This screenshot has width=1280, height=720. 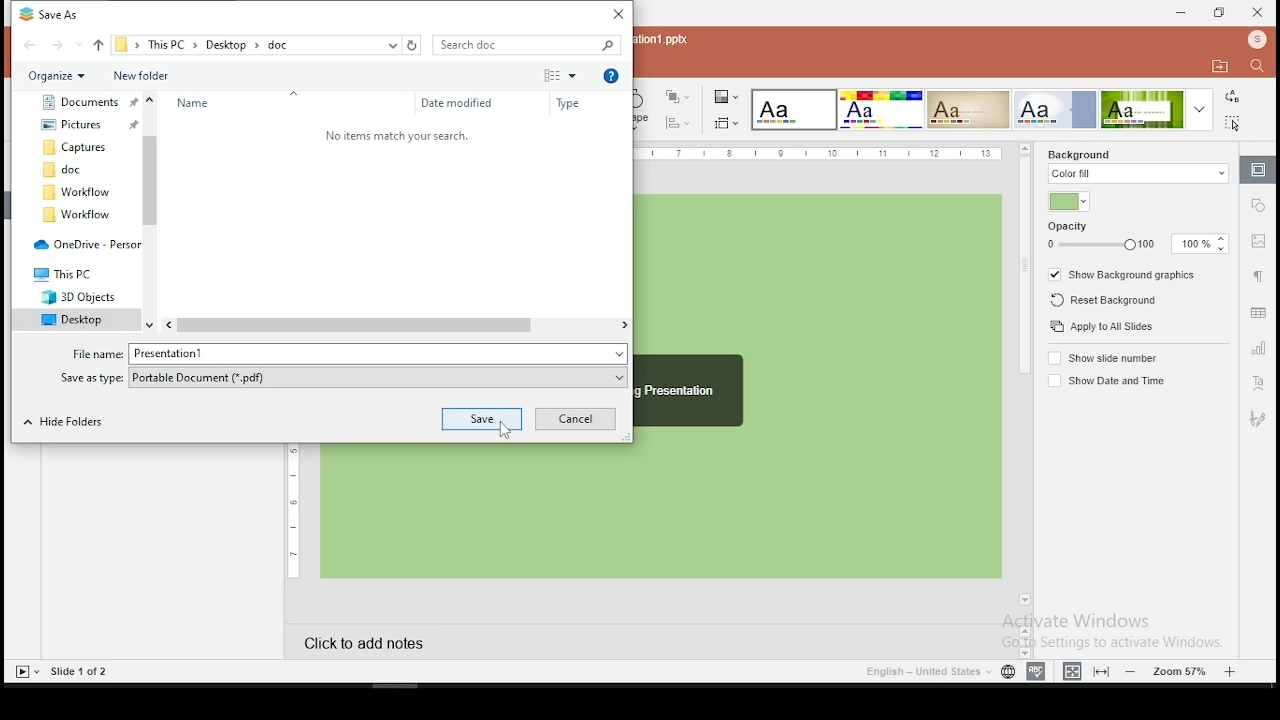 What do you see at coordinates (1260, 204) in the screenshot?
I see `shape settings` at bounding box center [1260, 204].